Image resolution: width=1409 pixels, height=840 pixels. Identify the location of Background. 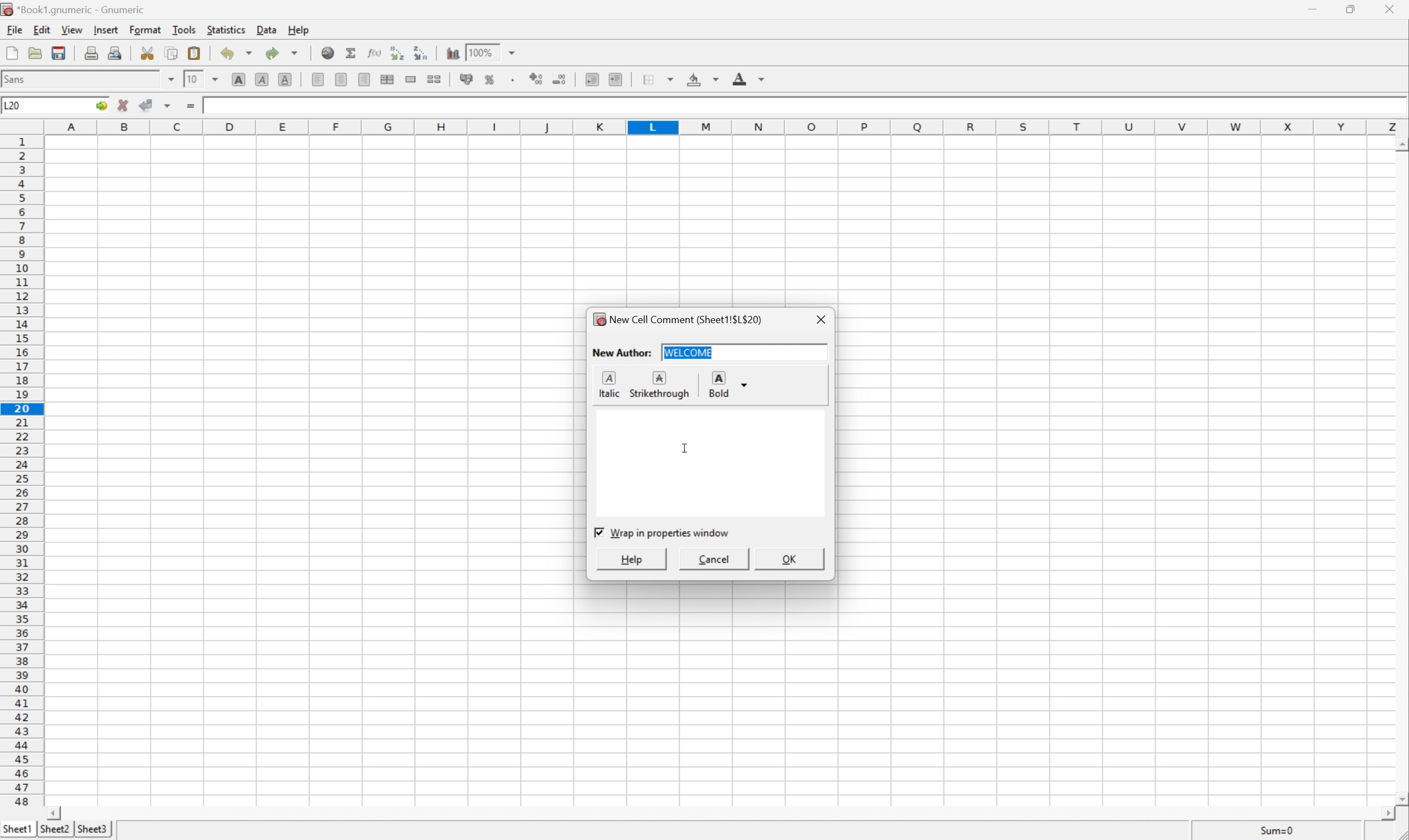
(703, 79).